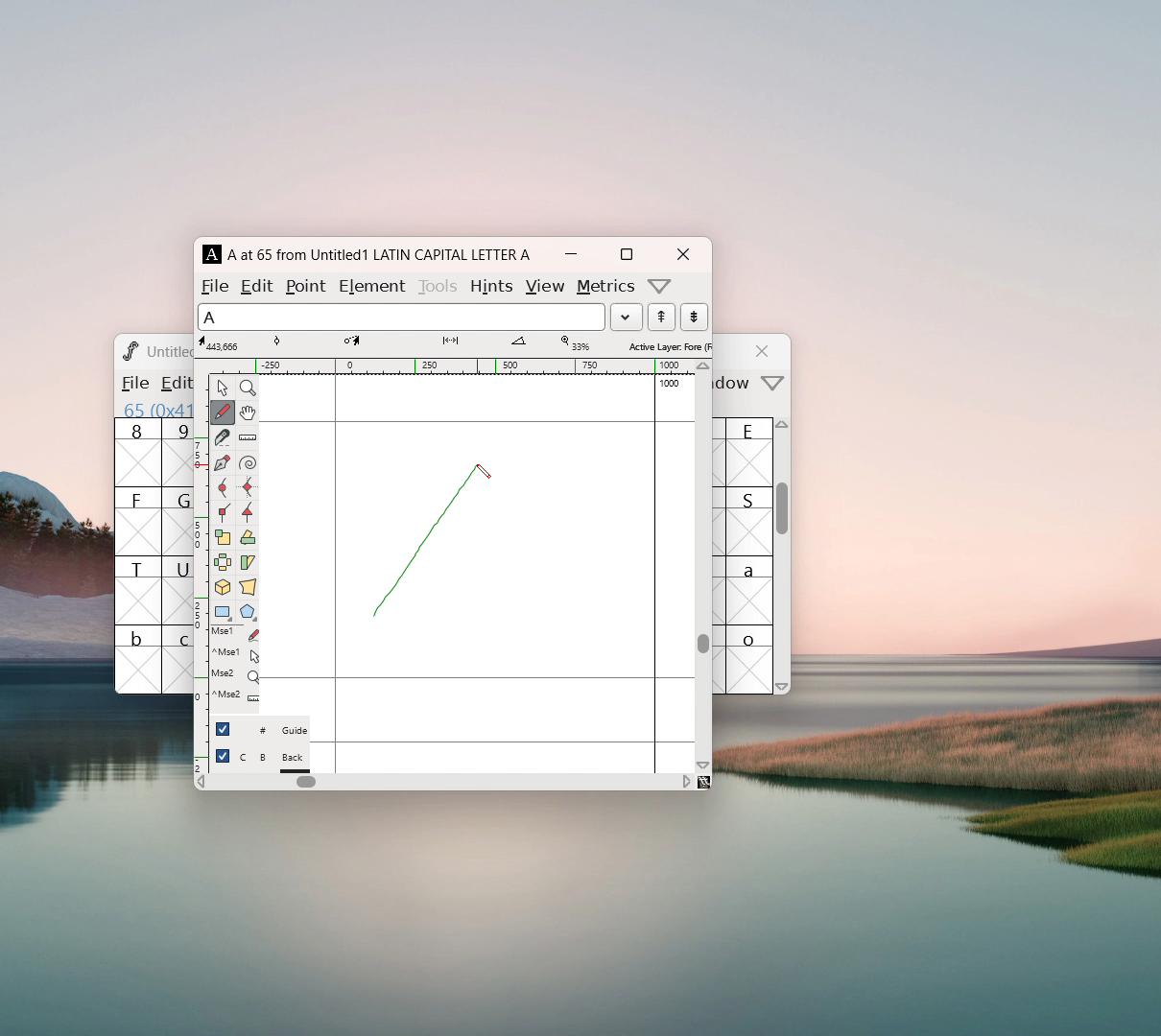  I want to click on file, so click(215, 286).